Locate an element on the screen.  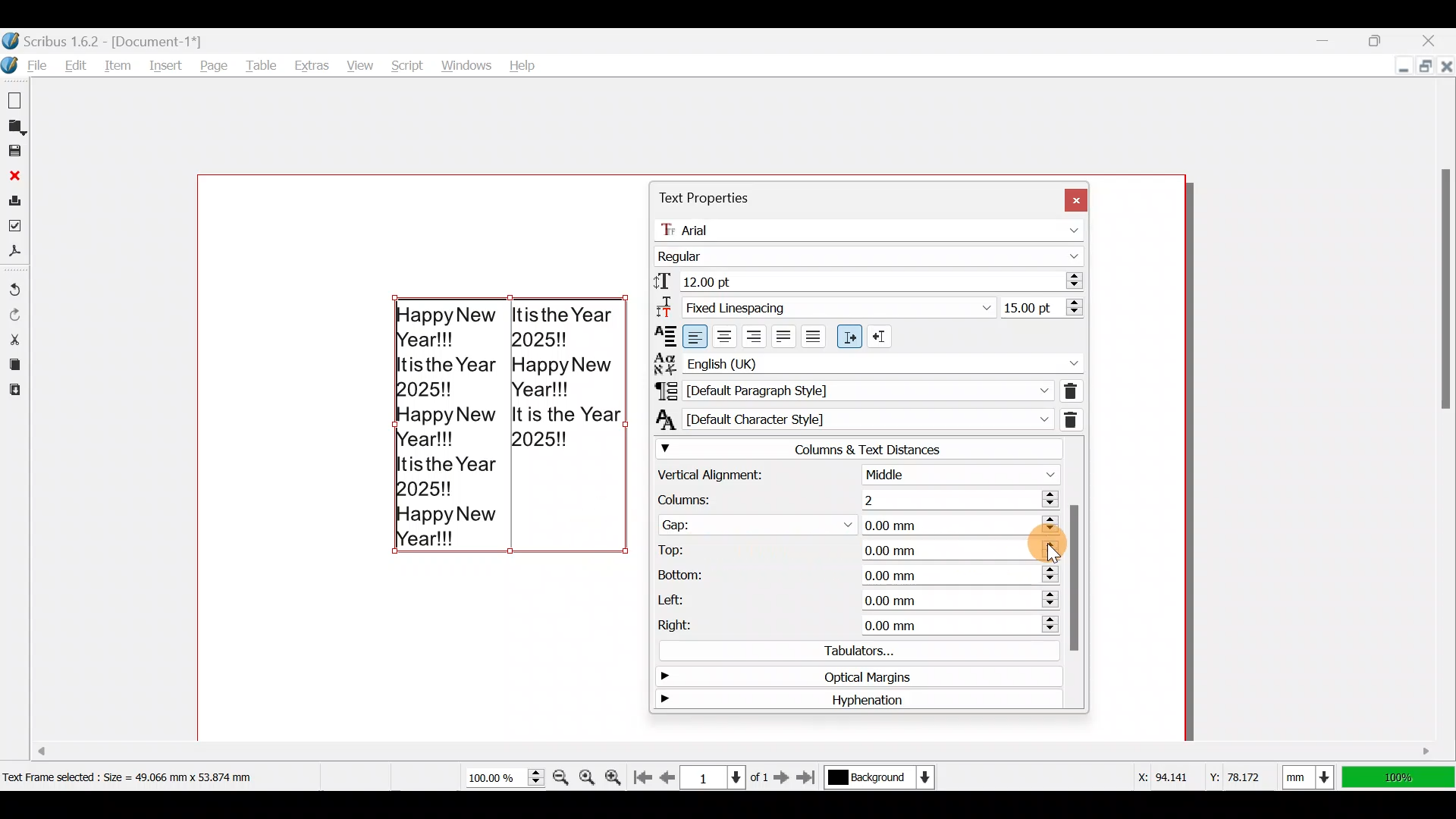
Scribus 1.6.2 is located at coordinates (105, 39).